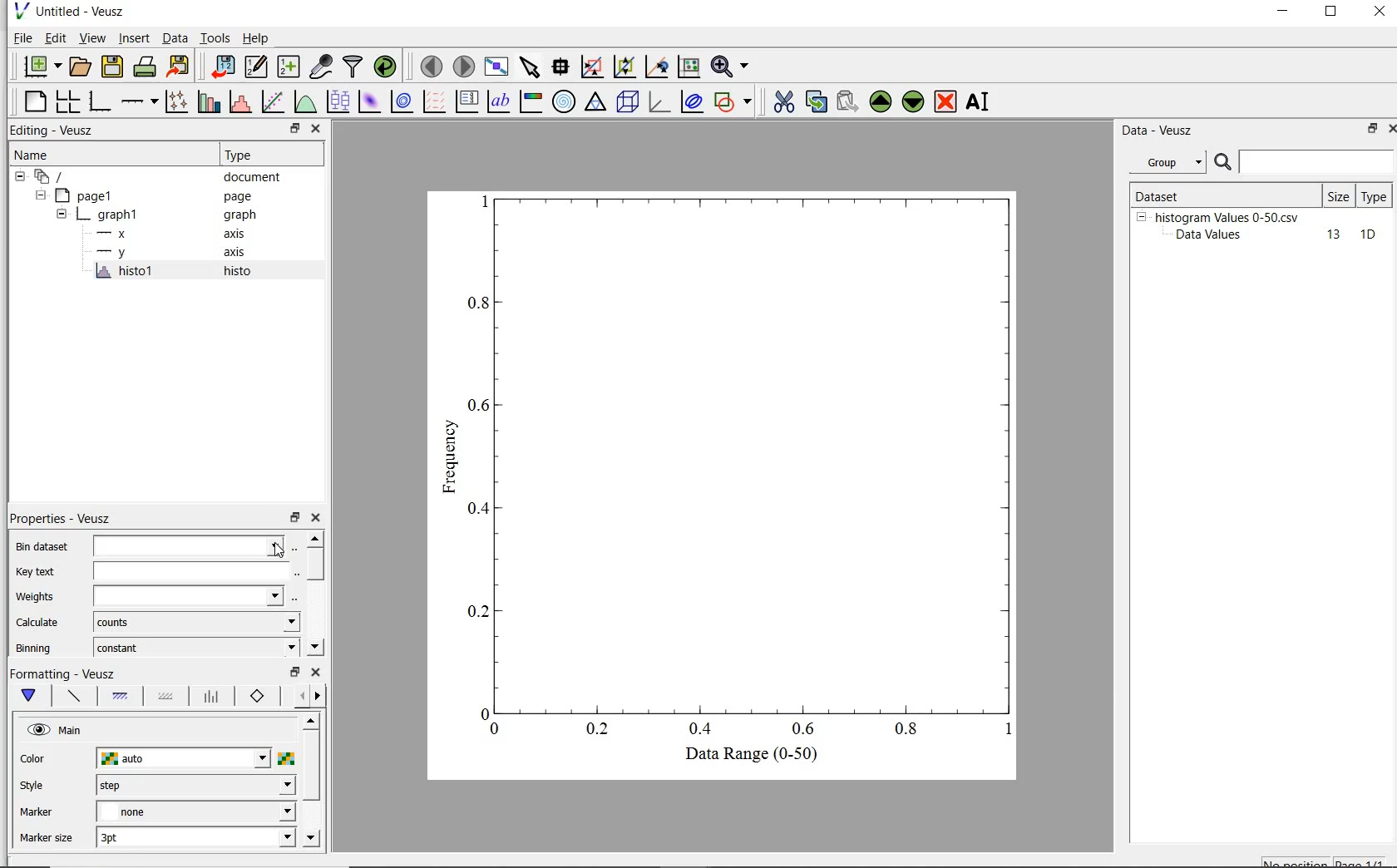 Image resolution: width=1397 pixels, height=868 pixels. Describe the element at coordinates (353, 67) in the screenshot. I see `filter data` at that location.